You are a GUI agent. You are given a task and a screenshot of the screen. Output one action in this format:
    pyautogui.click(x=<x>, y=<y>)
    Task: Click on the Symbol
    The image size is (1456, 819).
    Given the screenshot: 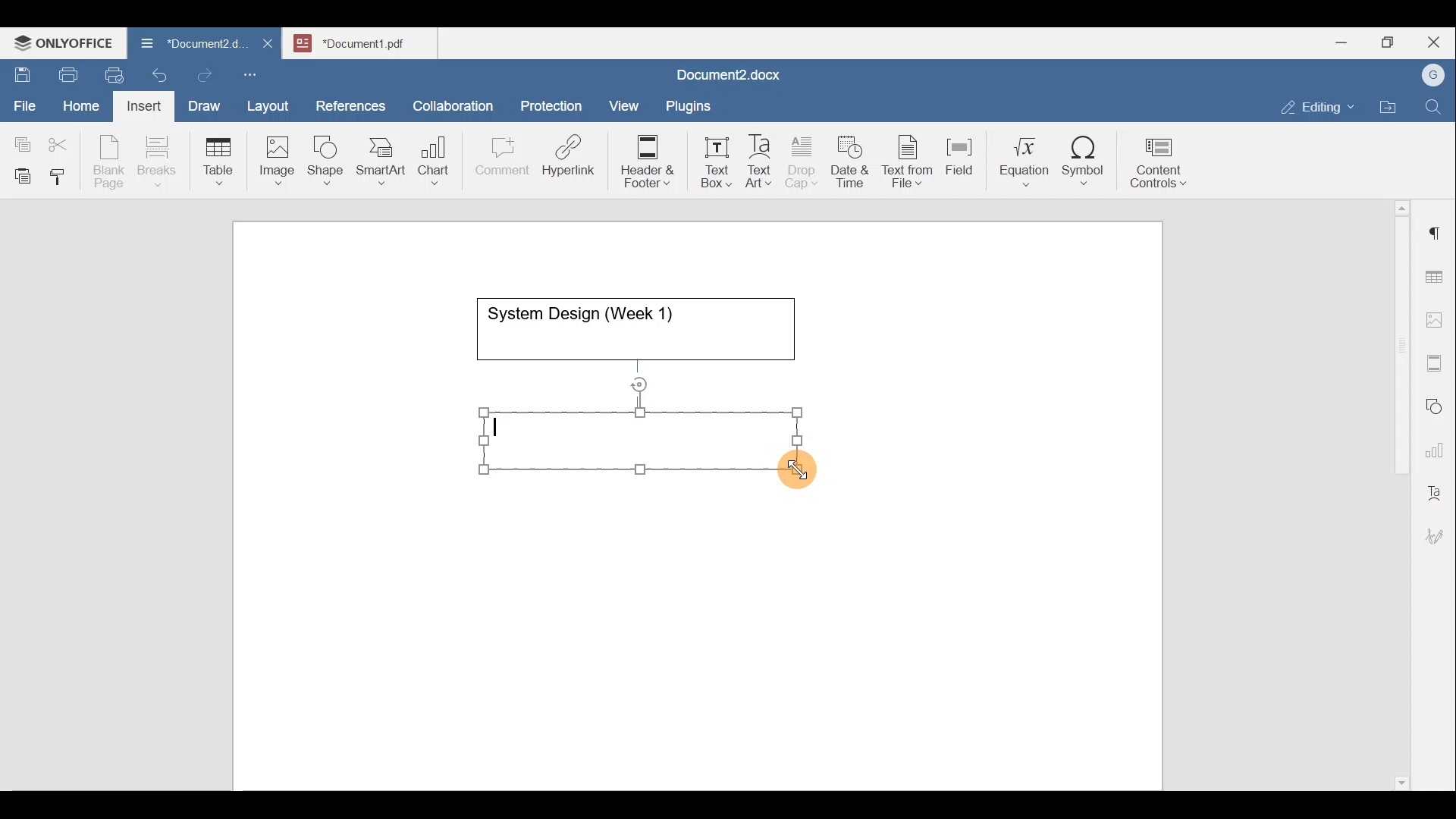 What is the action you would take?
    pyautogui.click(x=1084, y=165)
    